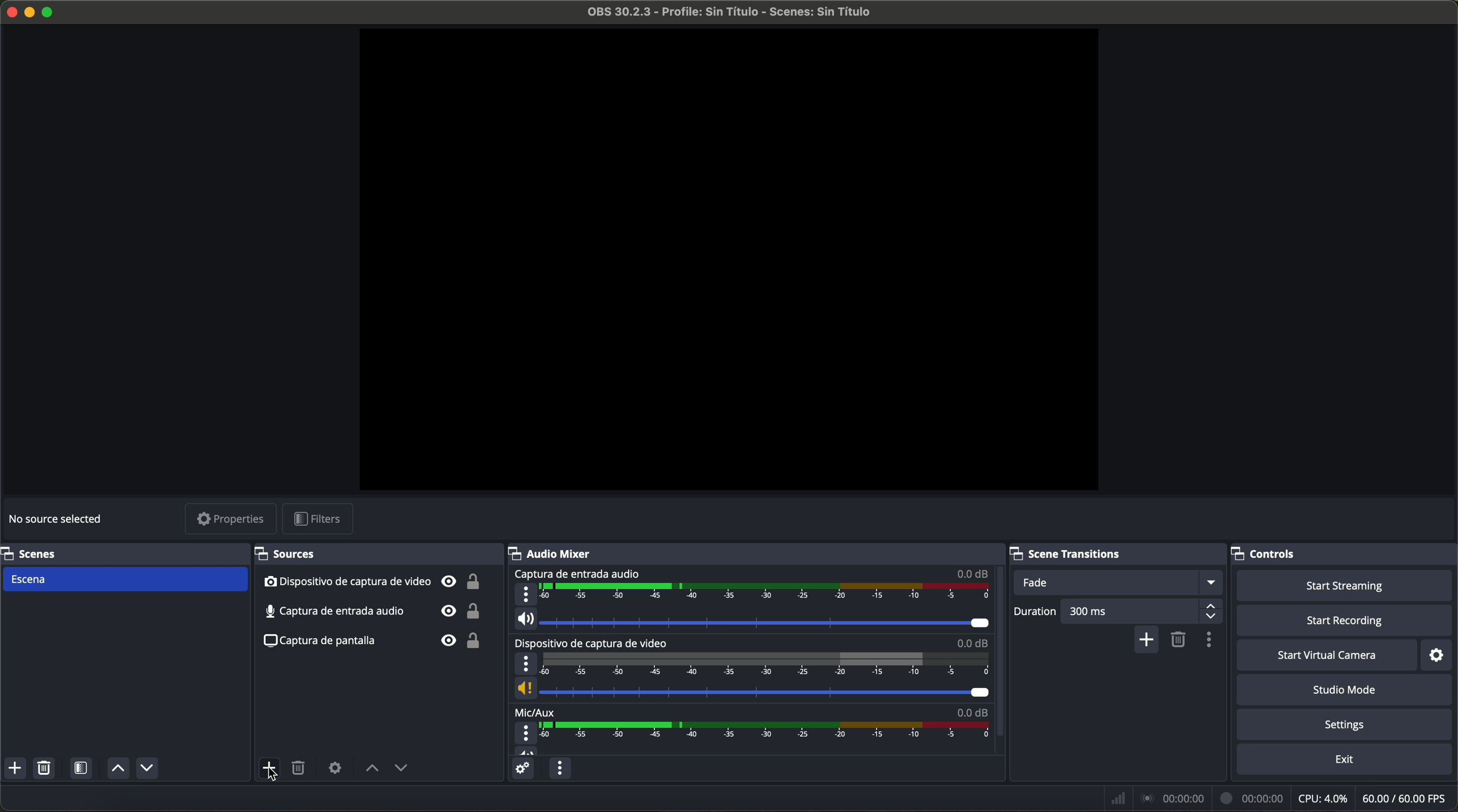  Describe the element at coordinates (535, 711) in the screenshot. I see `mic/aux` at that location.